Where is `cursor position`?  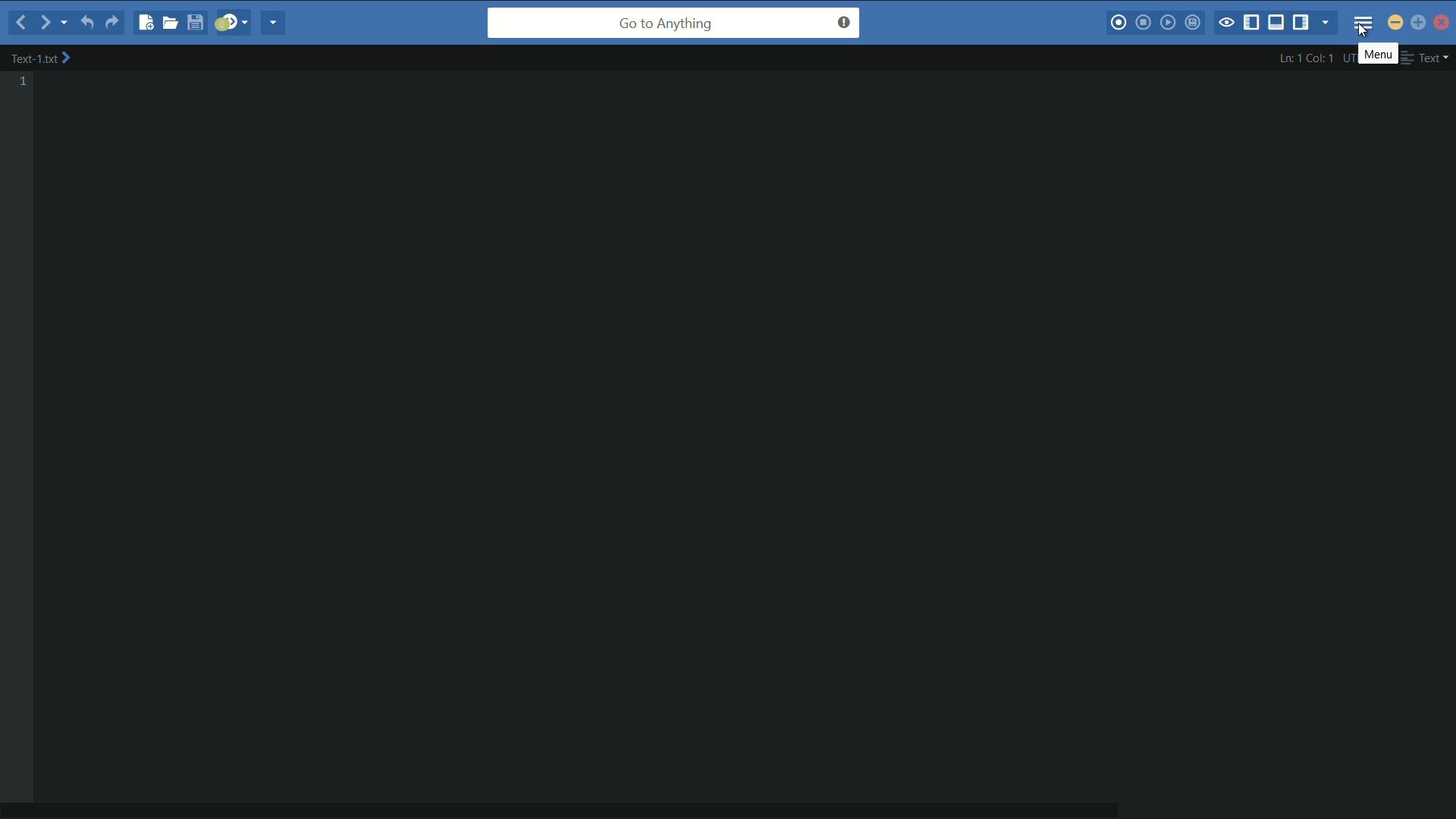
cursor position is located at coordinates (1304, 57).